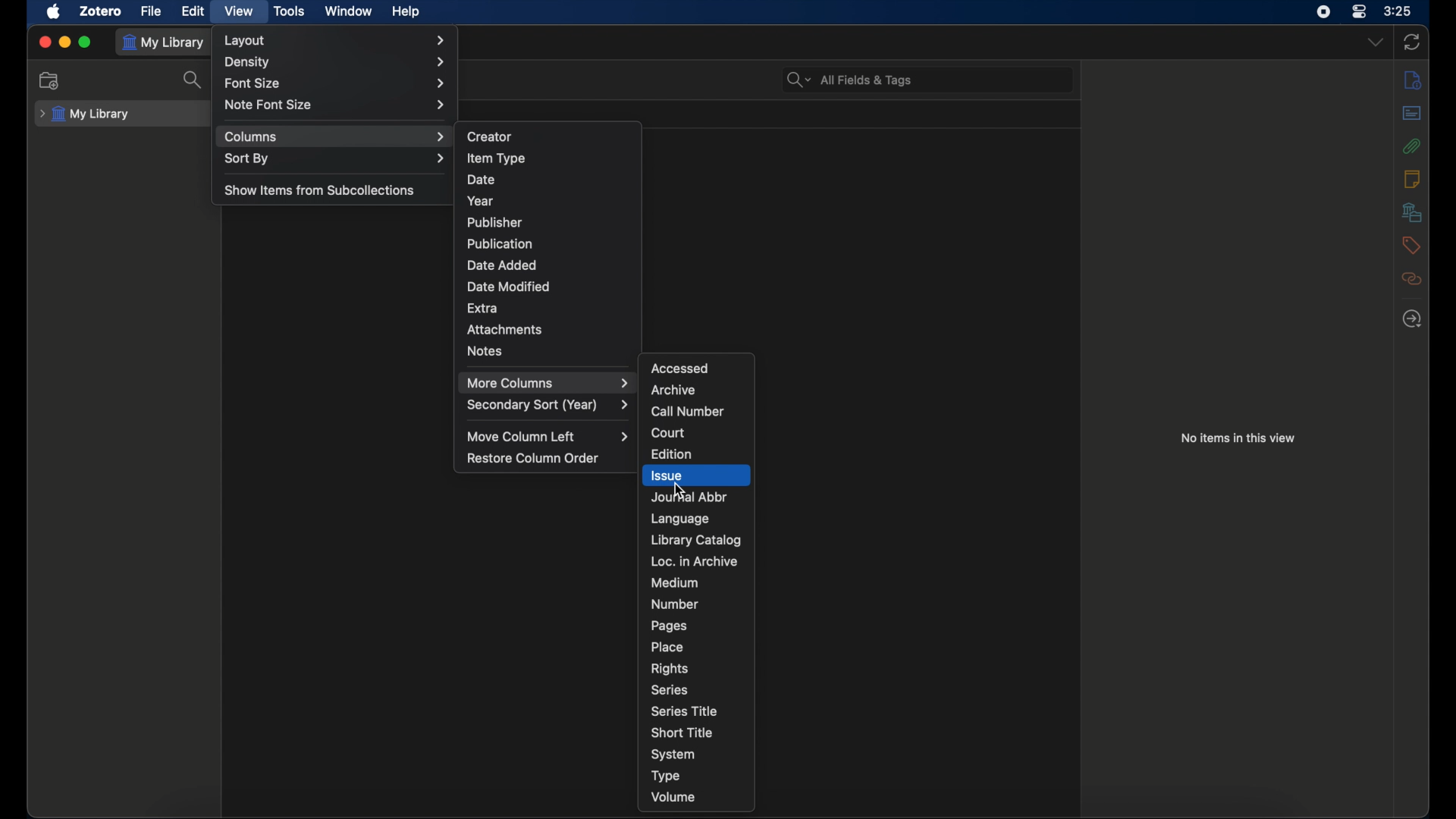  Describe the element at coordinates (681, 519) in the screenshot. I see `language` at that location.